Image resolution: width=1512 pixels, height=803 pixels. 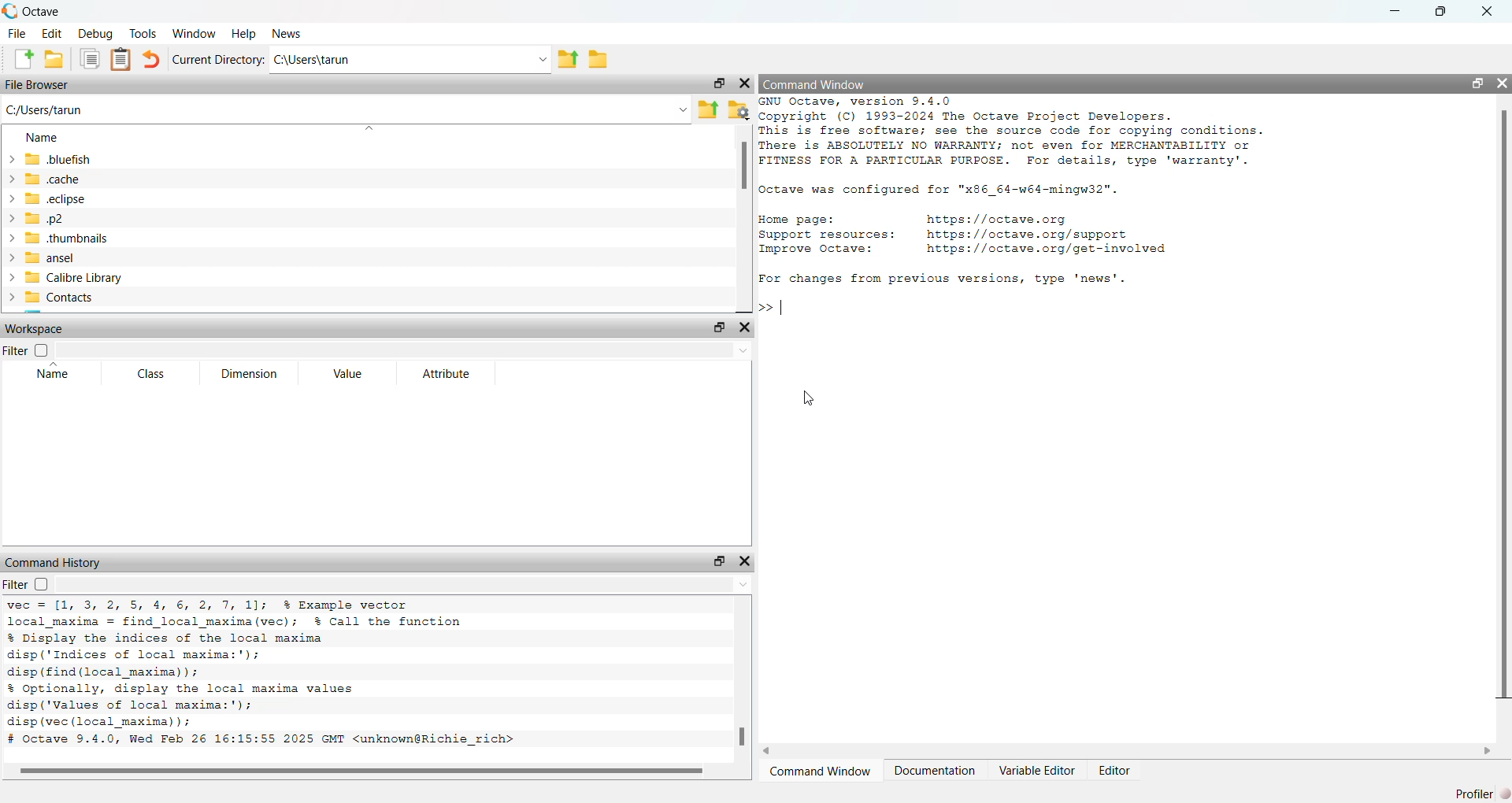 I want to click on Undock Widget, so click(x=1477, y=83).